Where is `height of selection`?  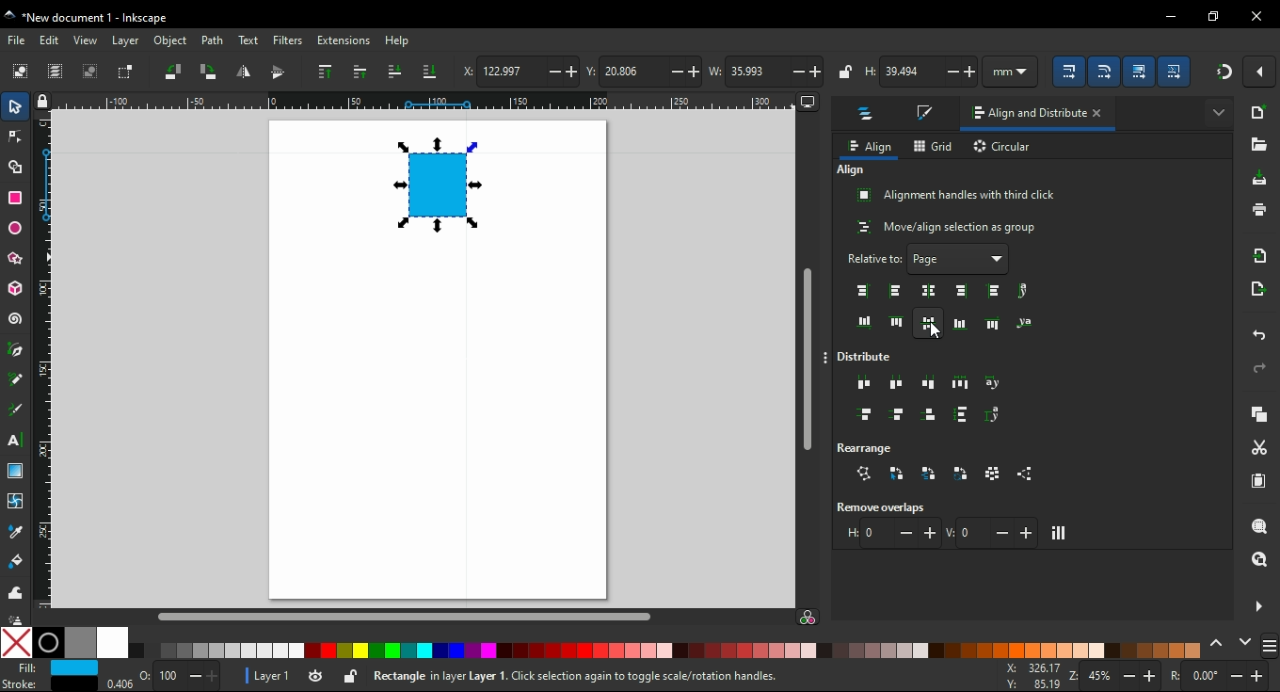
height of selection is located at coordinates (923, 72).